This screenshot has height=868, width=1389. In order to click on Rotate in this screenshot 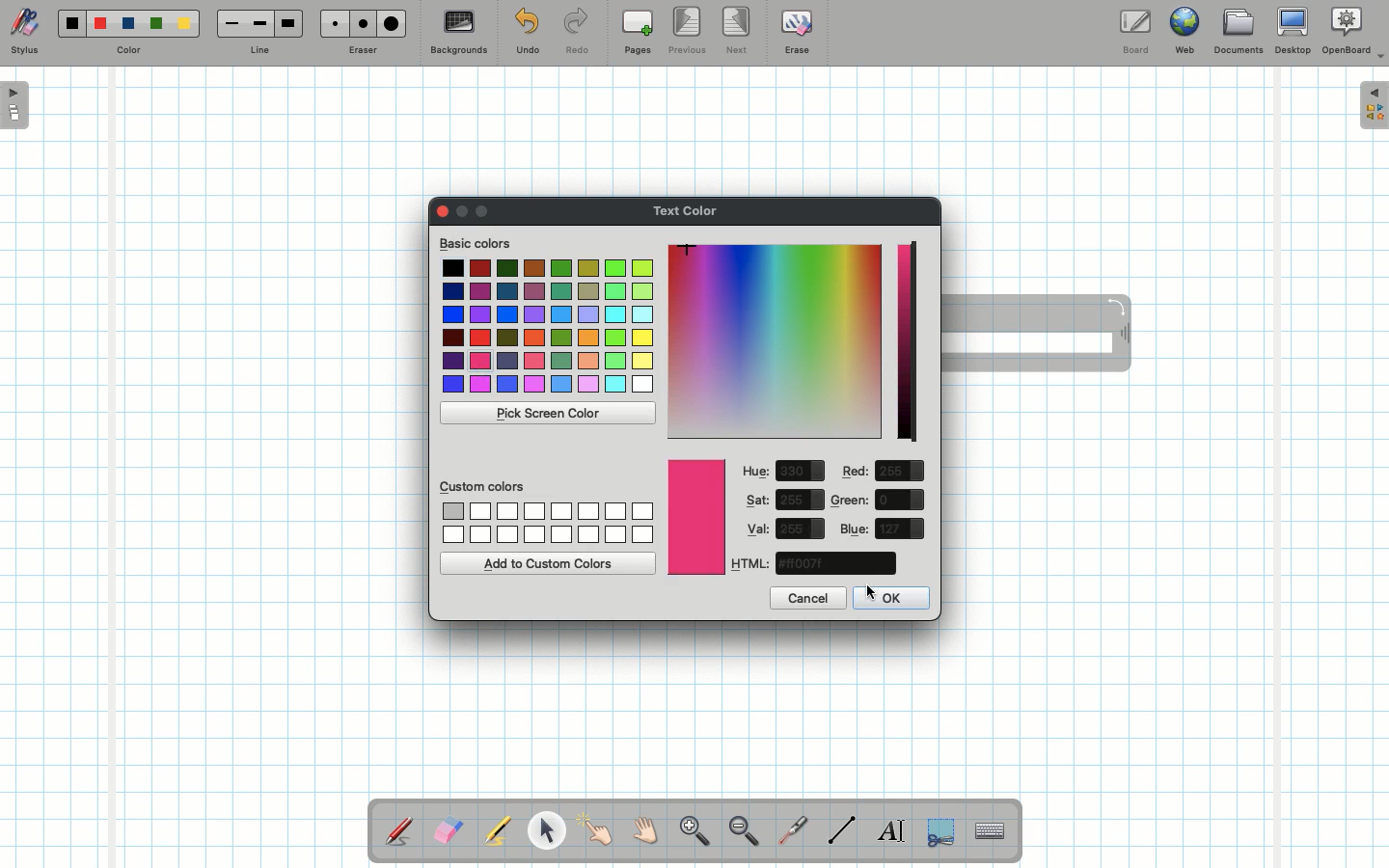, I will do `click(1116, 306)`.